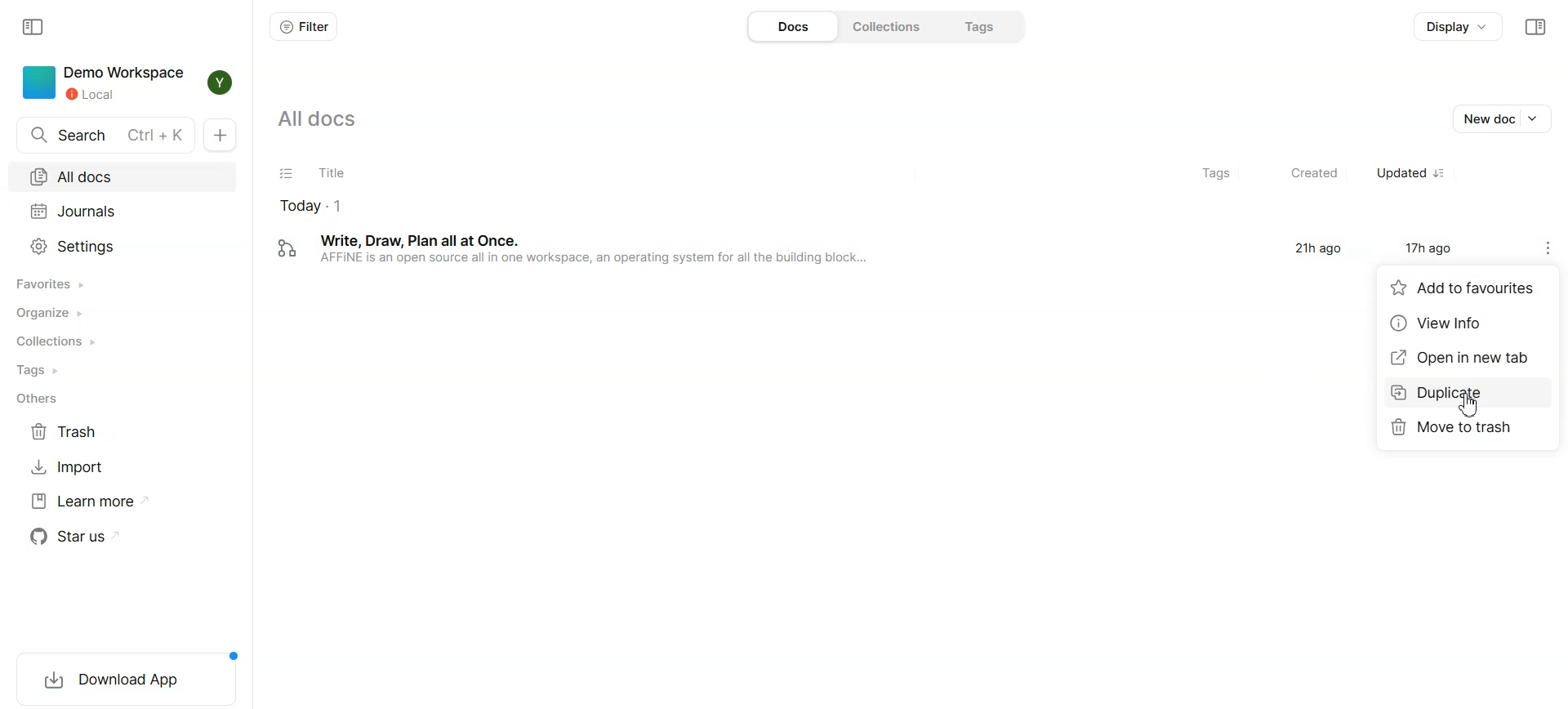  What do you see at coordinates (122, 285) in the screenshot?
I see `Favorites` at bounding box center [122, 285].